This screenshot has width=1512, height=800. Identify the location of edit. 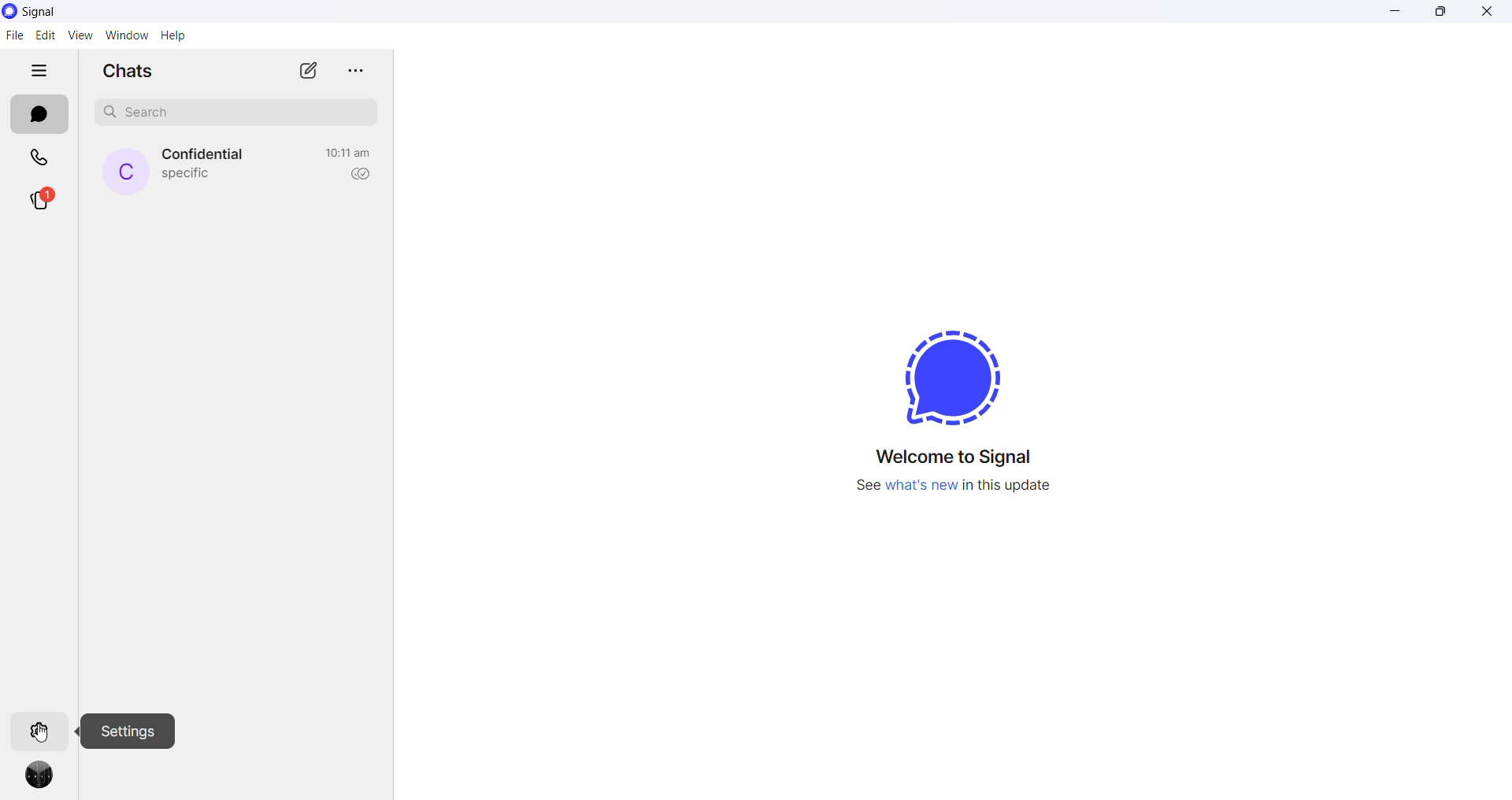
(45, 35).